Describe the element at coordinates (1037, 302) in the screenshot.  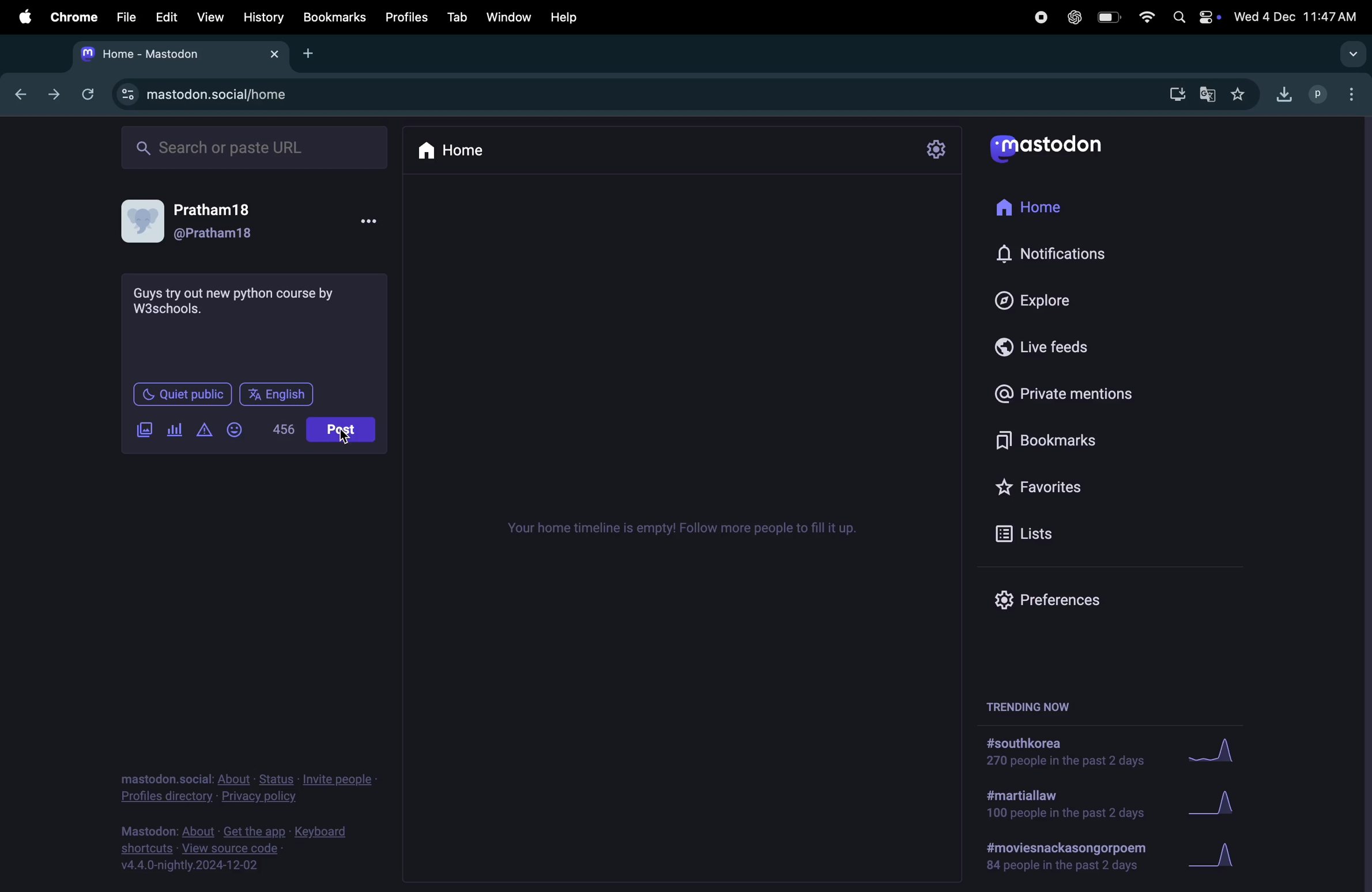
I see `explore` at that location.